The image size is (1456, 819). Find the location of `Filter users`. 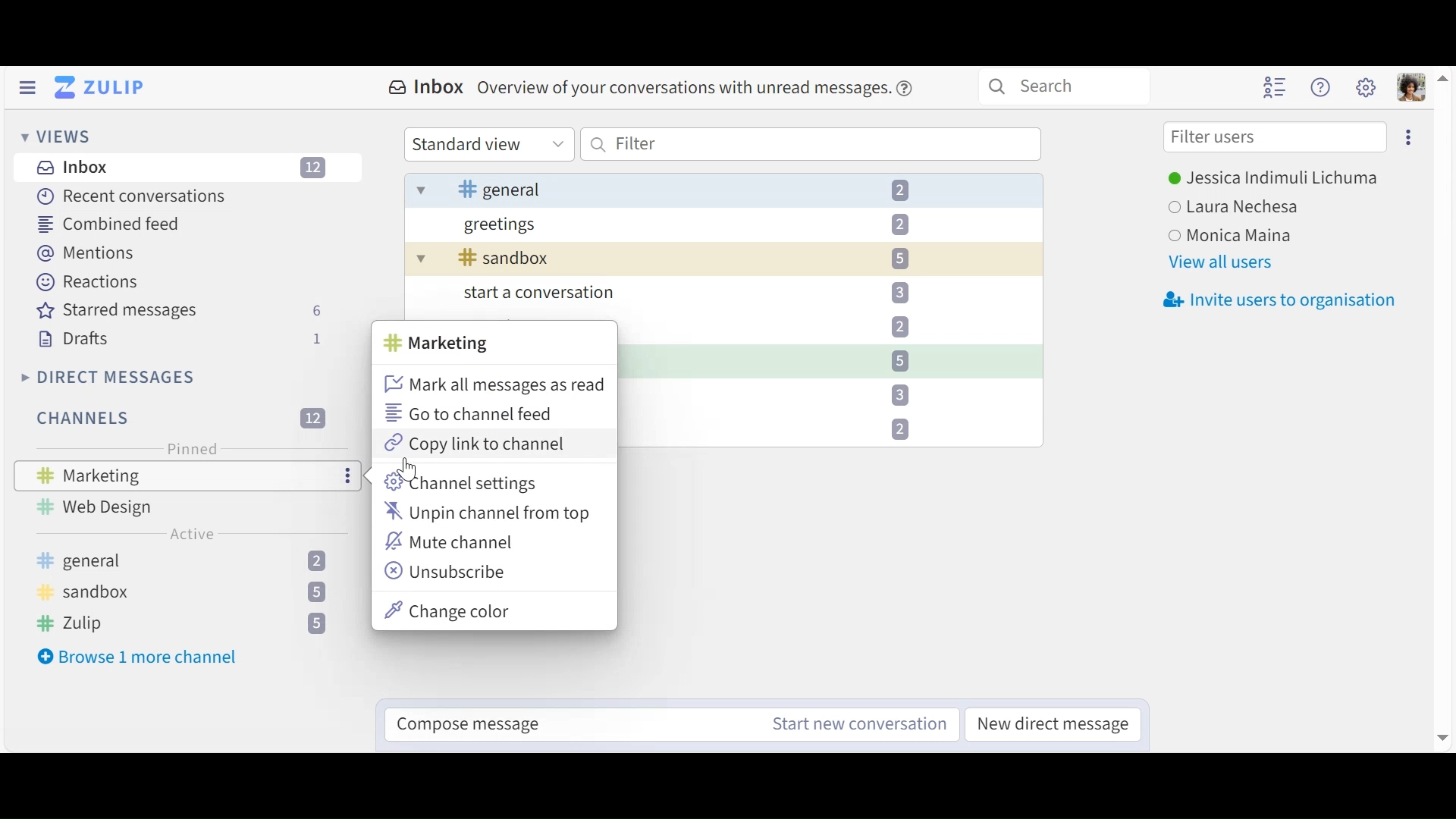

Filter users is located at coordinates (1275, 138).